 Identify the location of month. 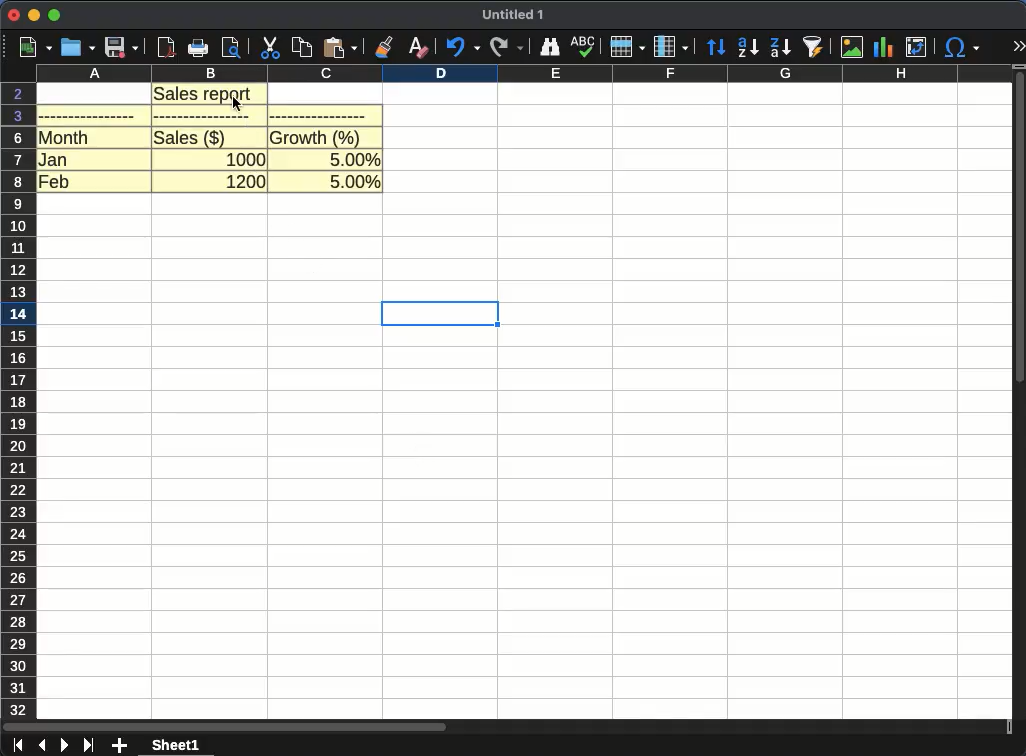
(65, 137).